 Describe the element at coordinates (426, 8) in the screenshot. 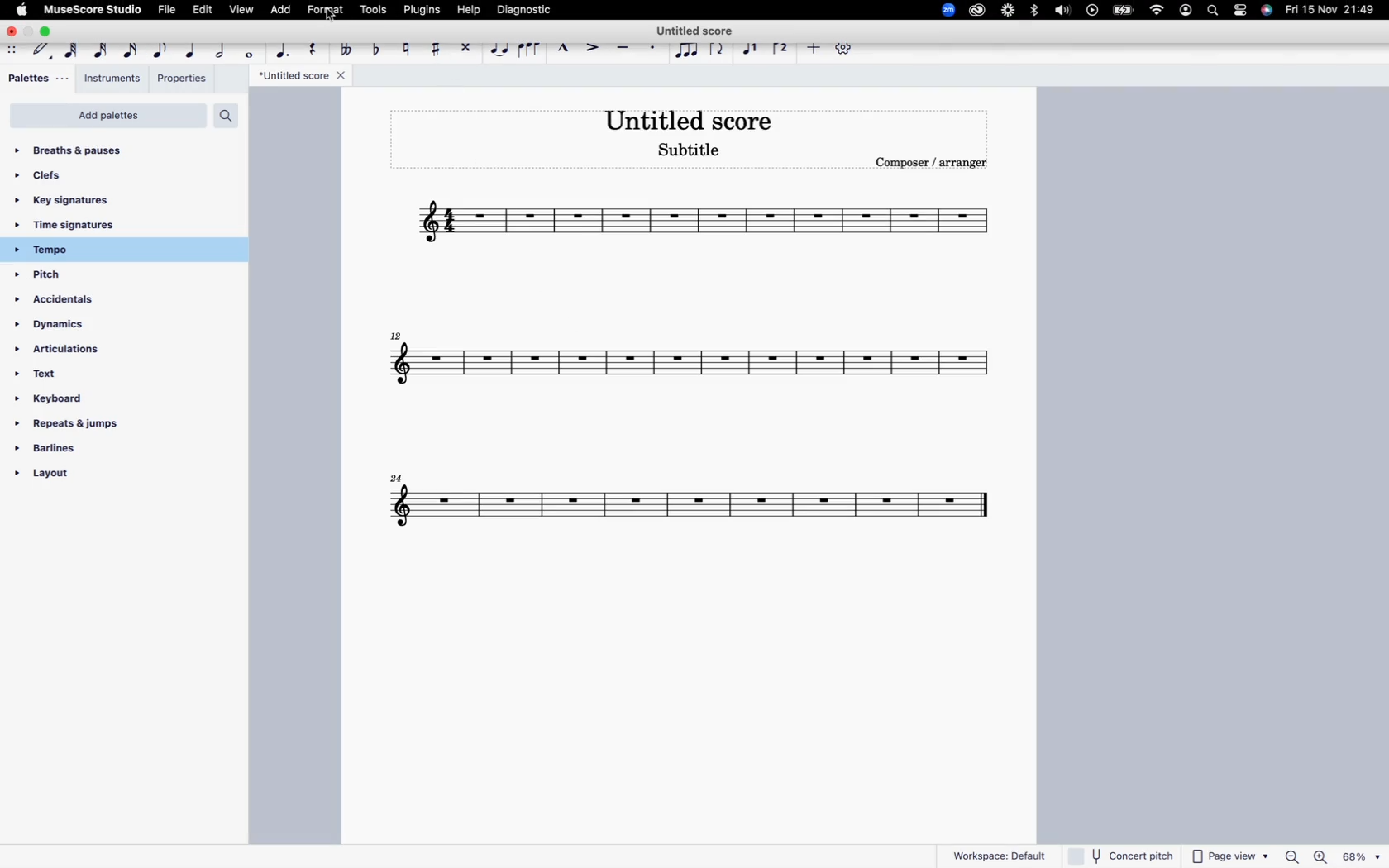

I see `plugins` at that location.